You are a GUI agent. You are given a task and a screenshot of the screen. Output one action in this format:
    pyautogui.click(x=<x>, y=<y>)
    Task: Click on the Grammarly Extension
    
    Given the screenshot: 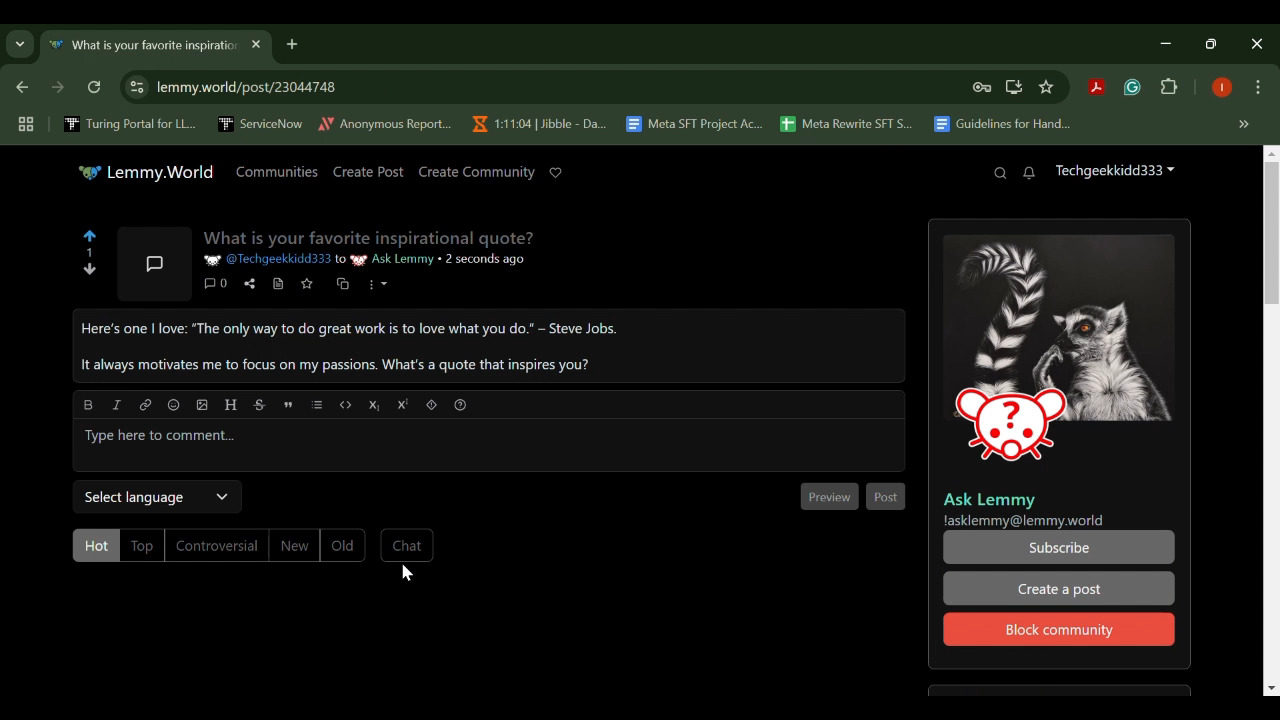 What is the action you would take?
    pyautogui.click(x=1130, y=88)
    